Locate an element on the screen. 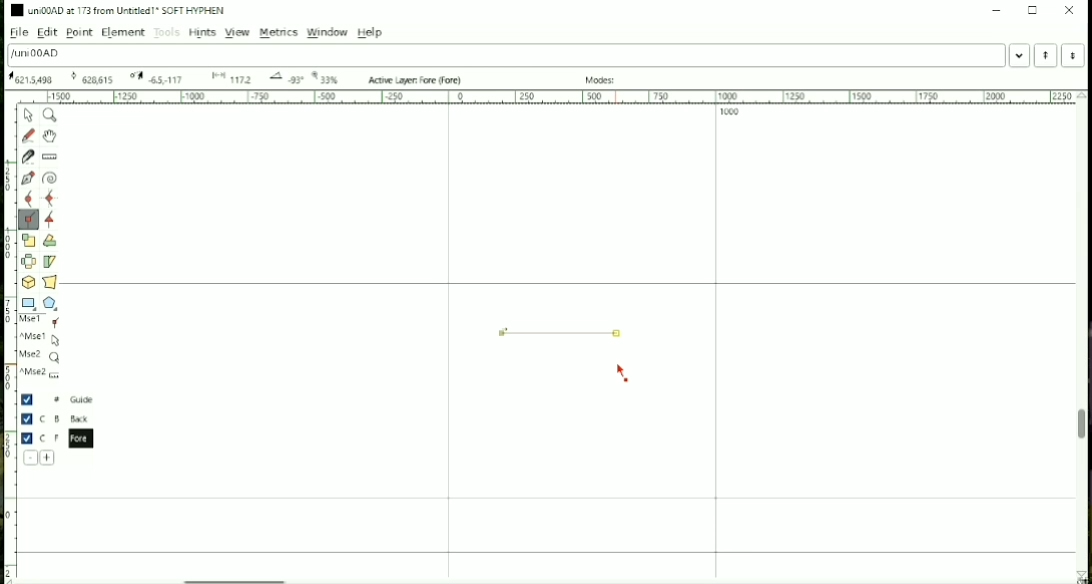 Image resolution: width=1092 pixels, height=584 pixels. Add a tangent point is located at coordinates (50, 221).